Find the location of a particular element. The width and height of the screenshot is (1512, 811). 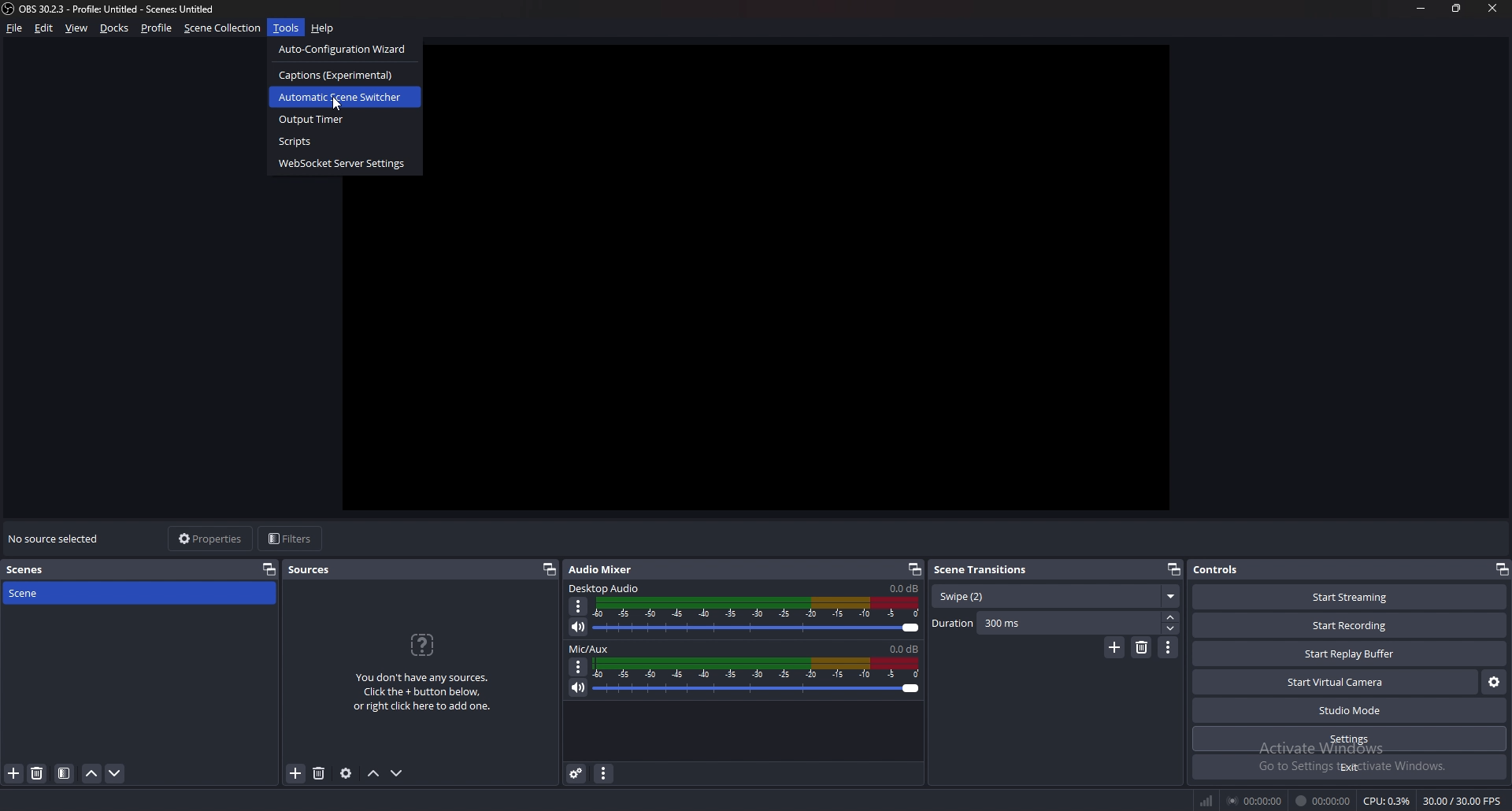

file is located at coordinates (16, 28).